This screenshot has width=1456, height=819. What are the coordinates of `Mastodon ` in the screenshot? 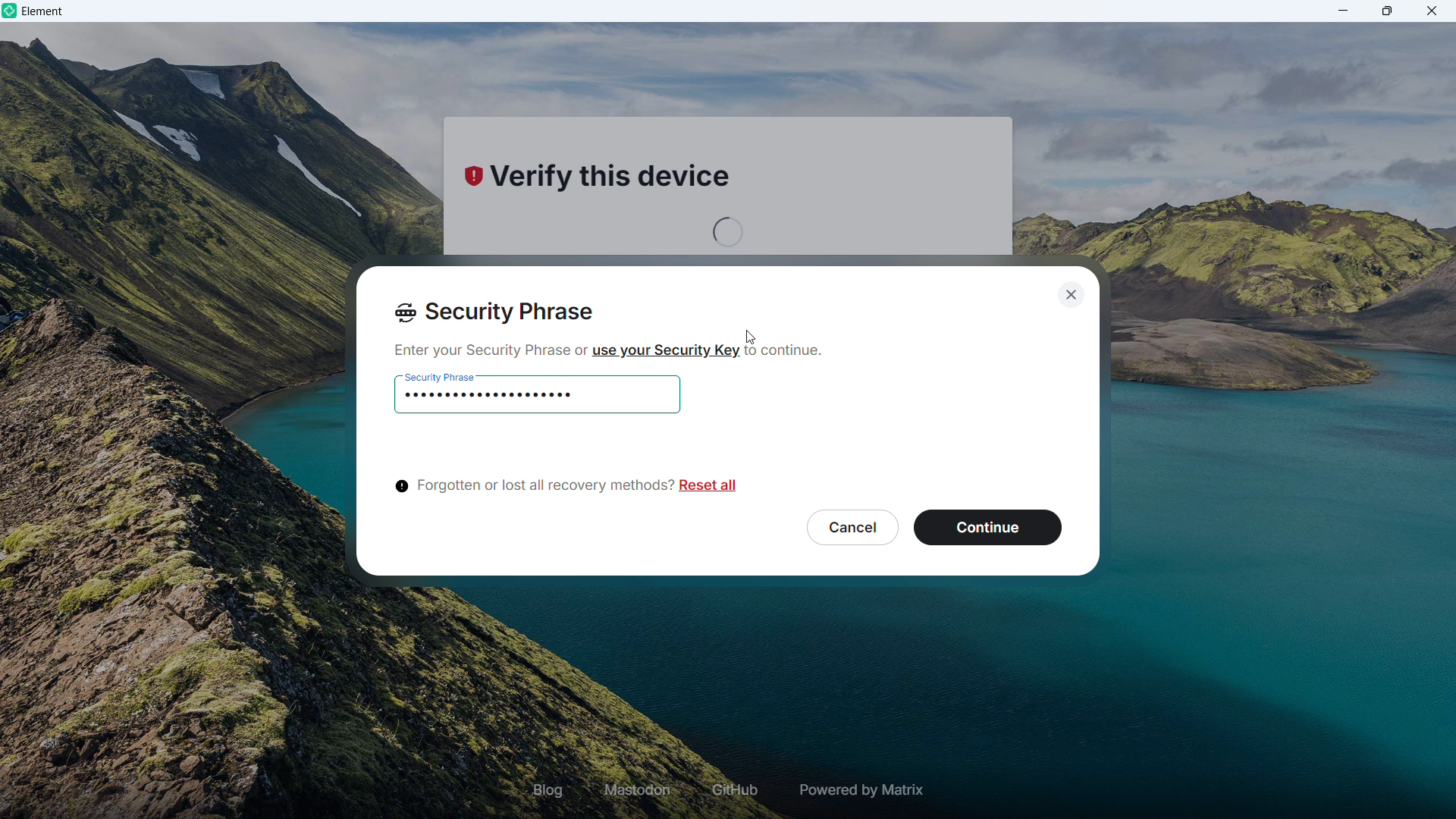 It's located at (639, 790).